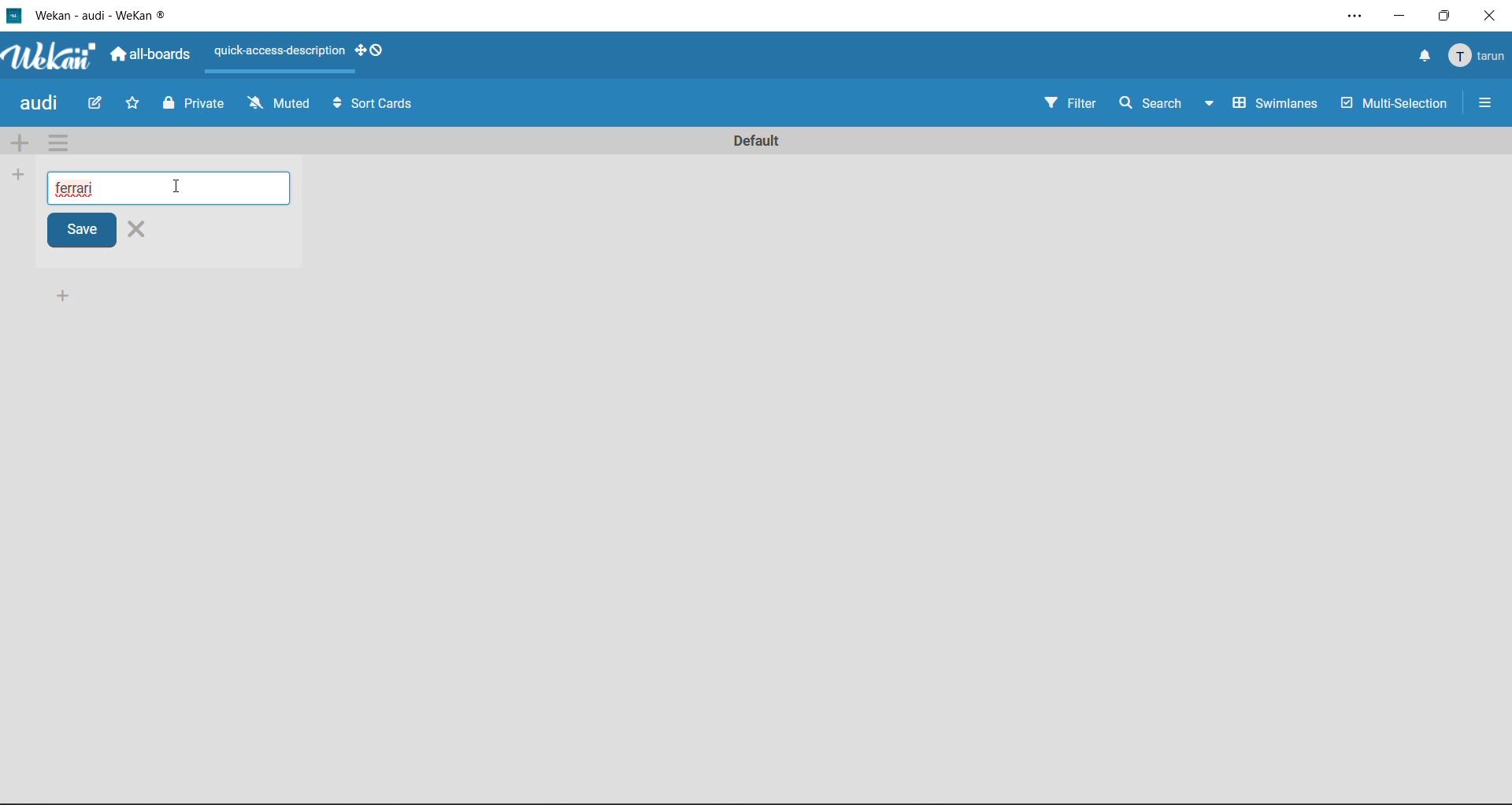  What do you see at coordinates (1276, 106) in the screenshot?
I see `Swimlanes` at bounding box center [1276, 106].